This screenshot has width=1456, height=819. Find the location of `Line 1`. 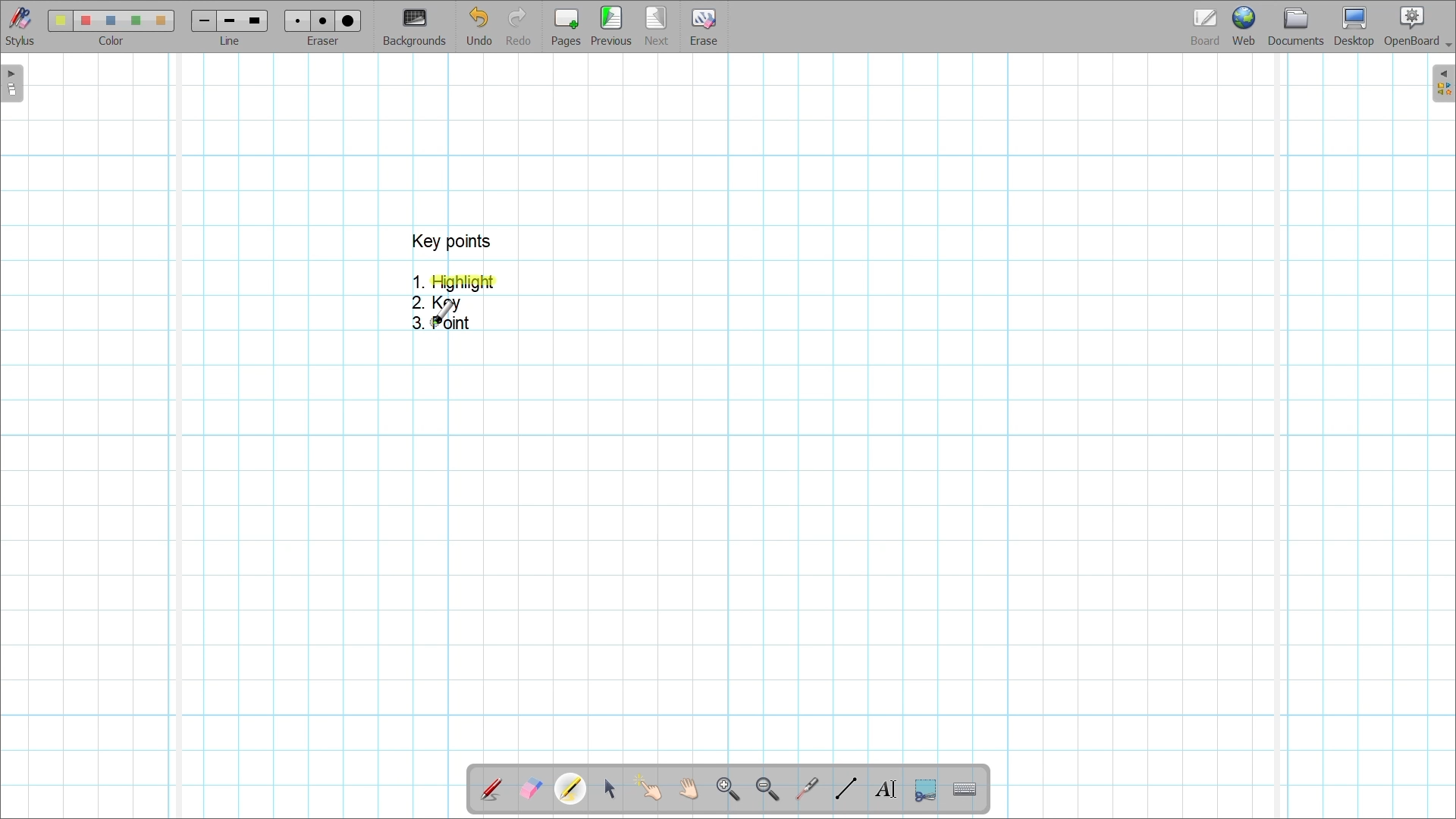

Line 1 is located at coordinates (202, 20).